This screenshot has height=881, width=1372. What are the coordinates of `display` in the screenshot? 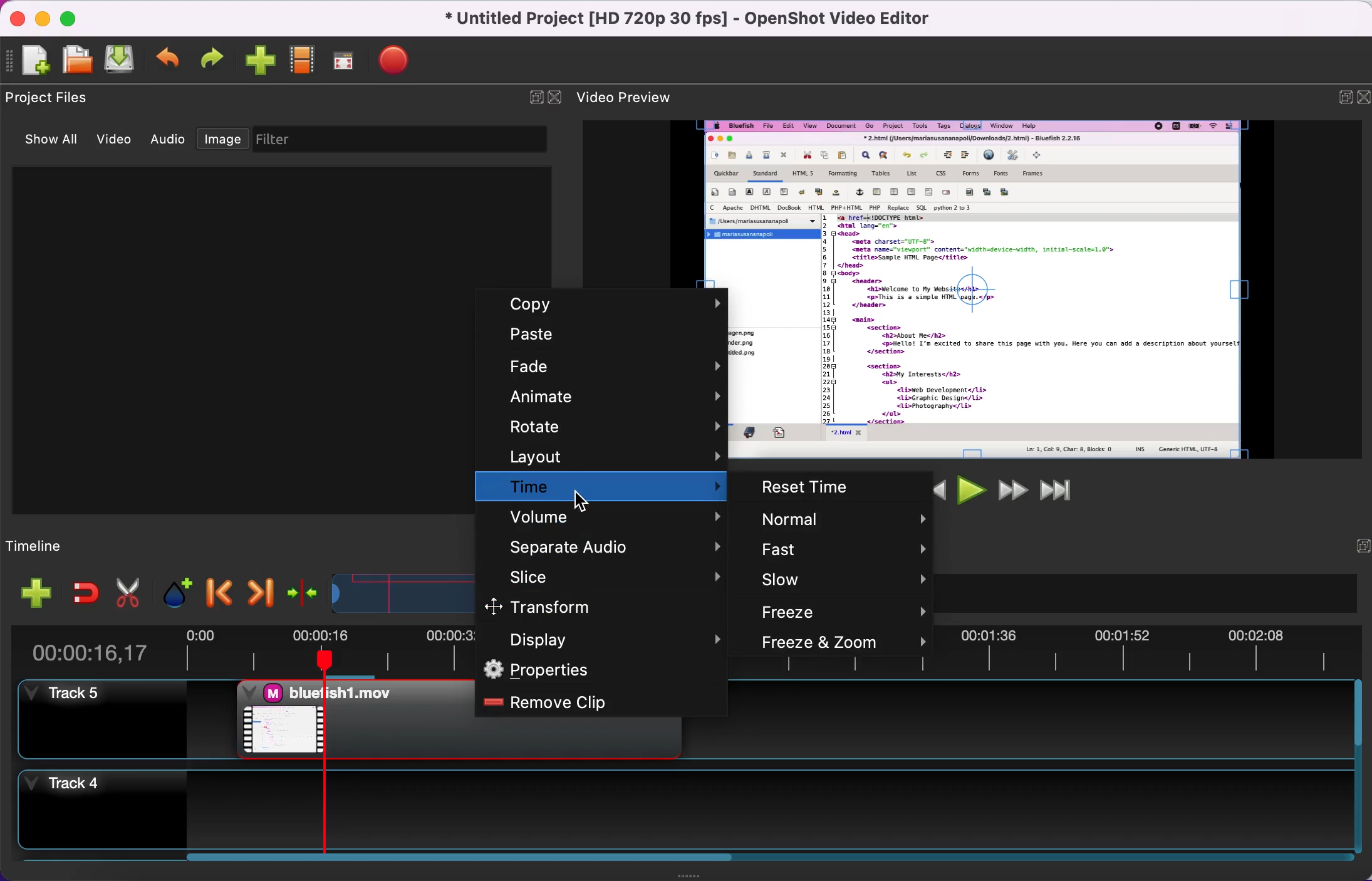 It's located at (601, 638).